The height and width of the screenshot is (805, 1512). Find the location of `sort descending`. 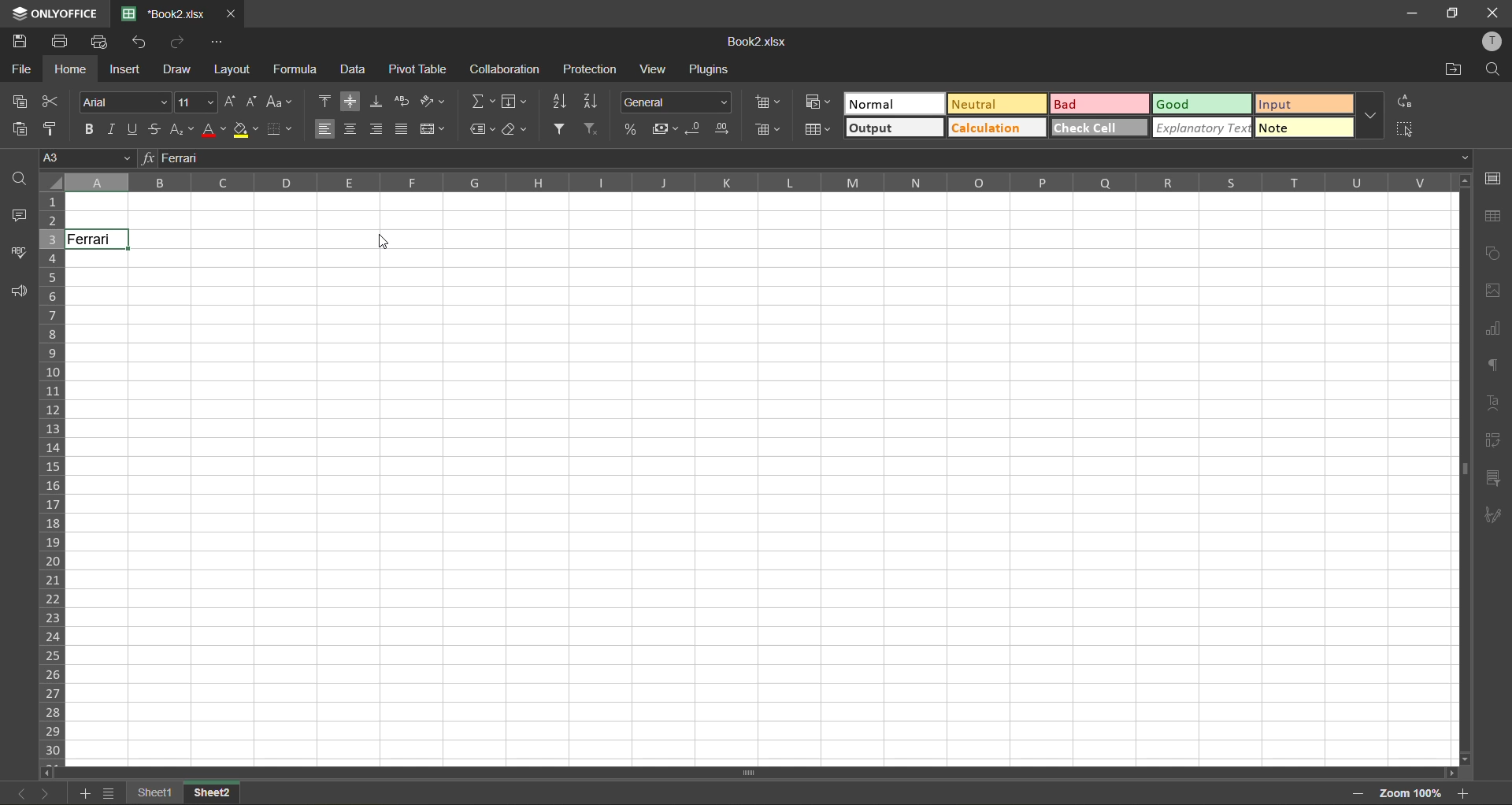

sort descending is located at coordinates (593, 101).